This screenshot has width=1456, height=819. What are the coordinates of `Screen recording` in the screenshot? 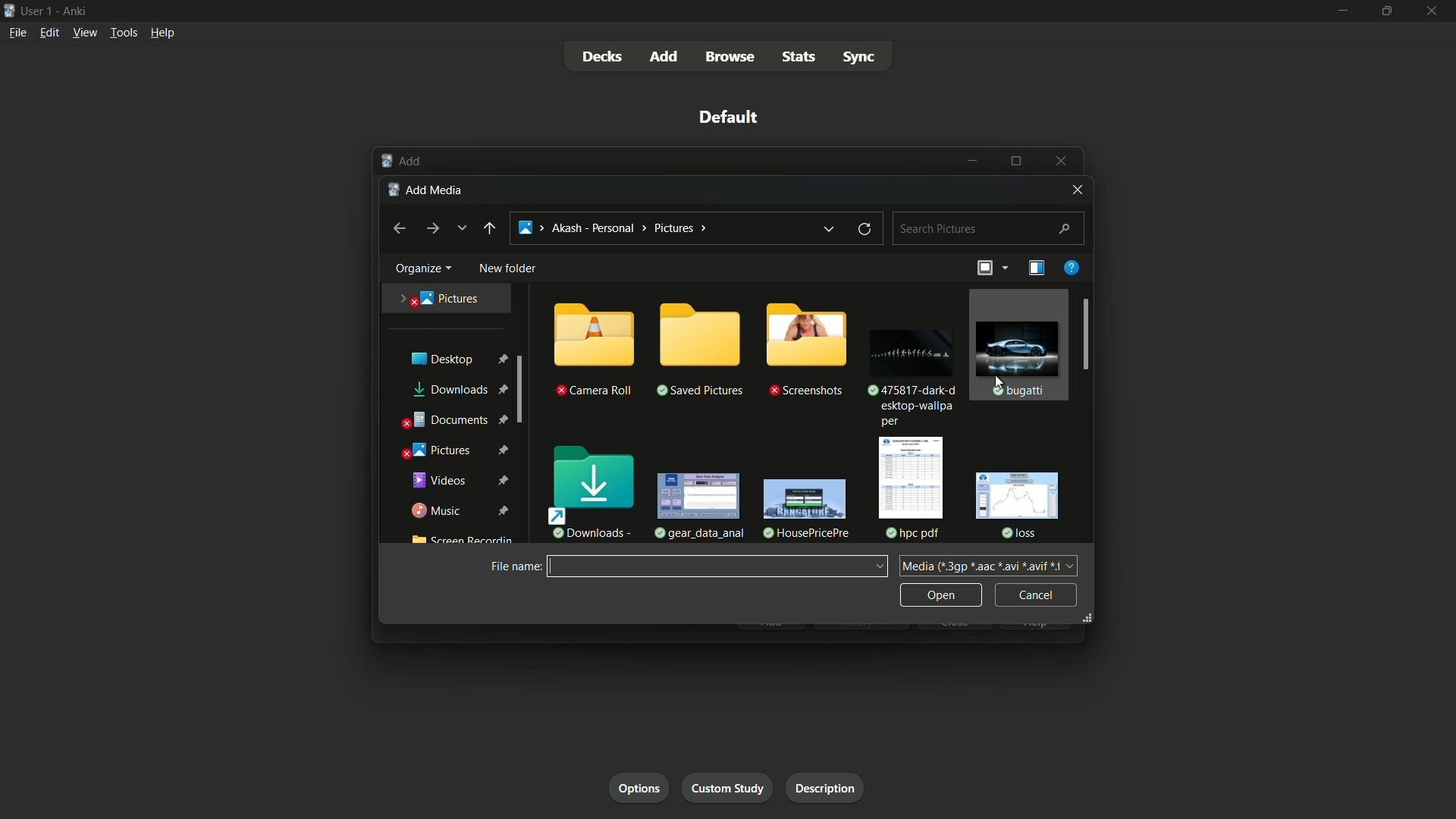 It's located at (459, 541).